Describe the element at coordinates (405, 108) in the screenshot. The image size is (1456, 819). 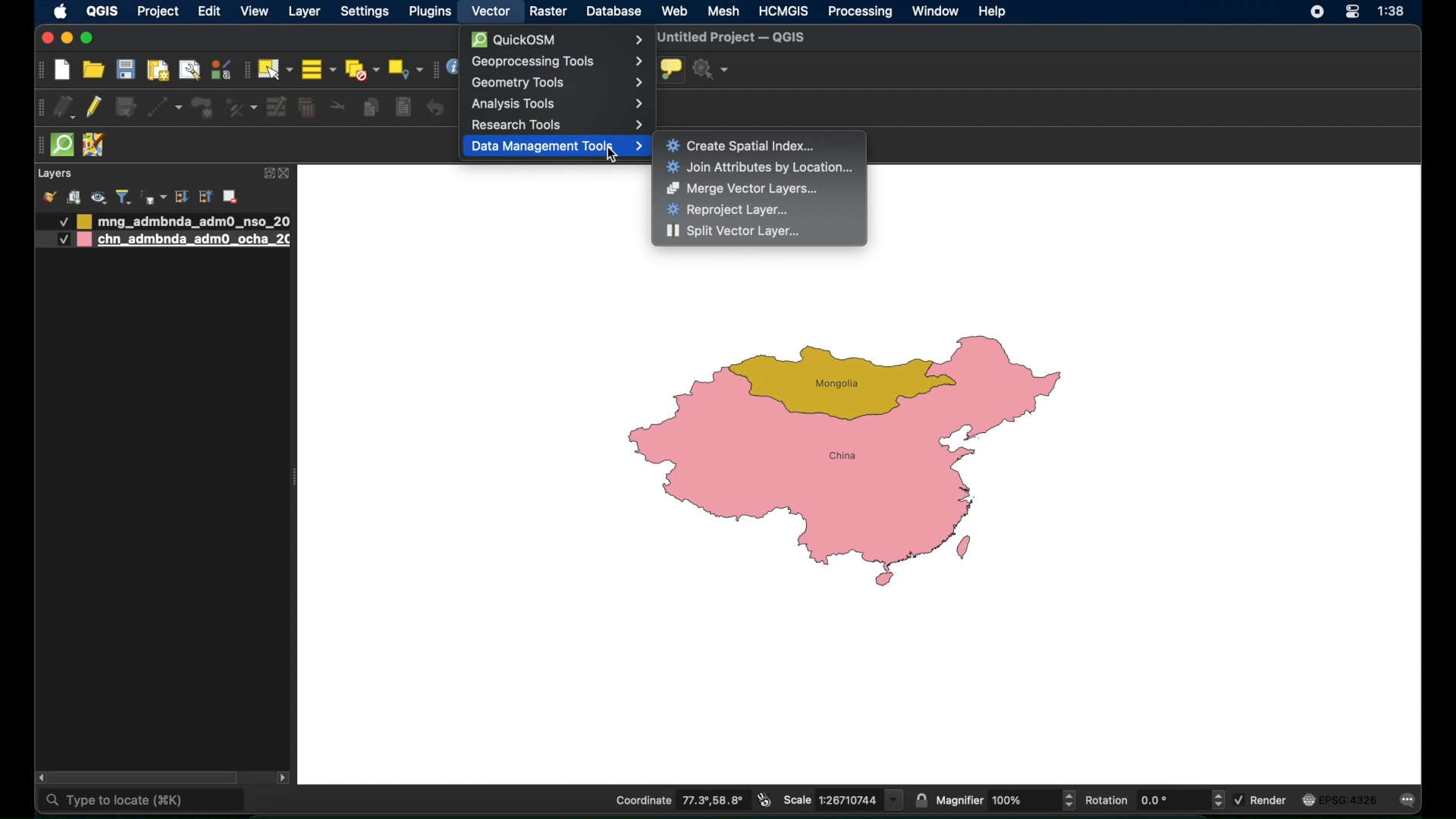
I see `paste features` at that location.